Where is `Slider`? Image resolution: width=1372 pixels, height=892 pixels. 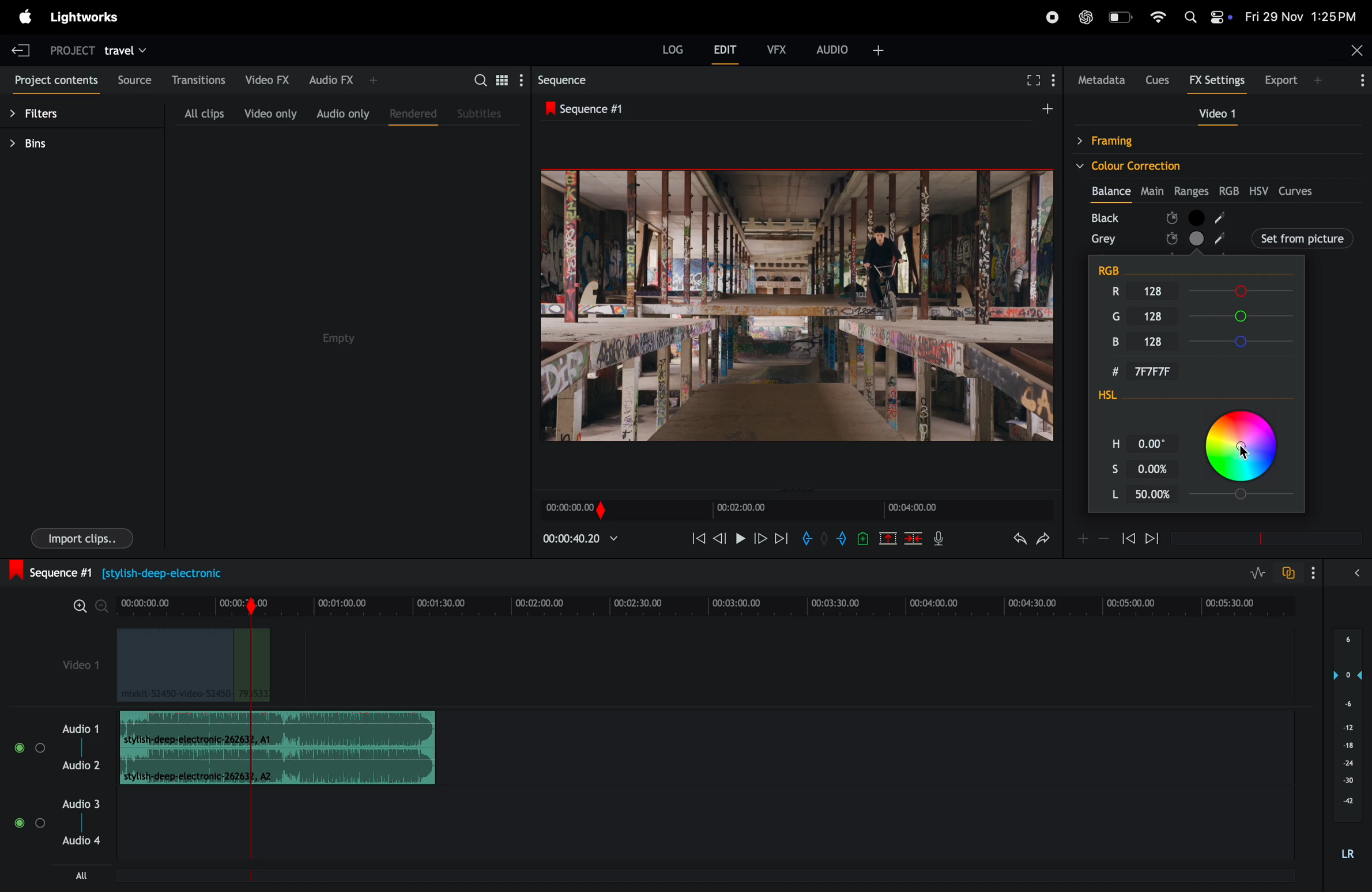 Slider is located at coordinates (1246, 496).